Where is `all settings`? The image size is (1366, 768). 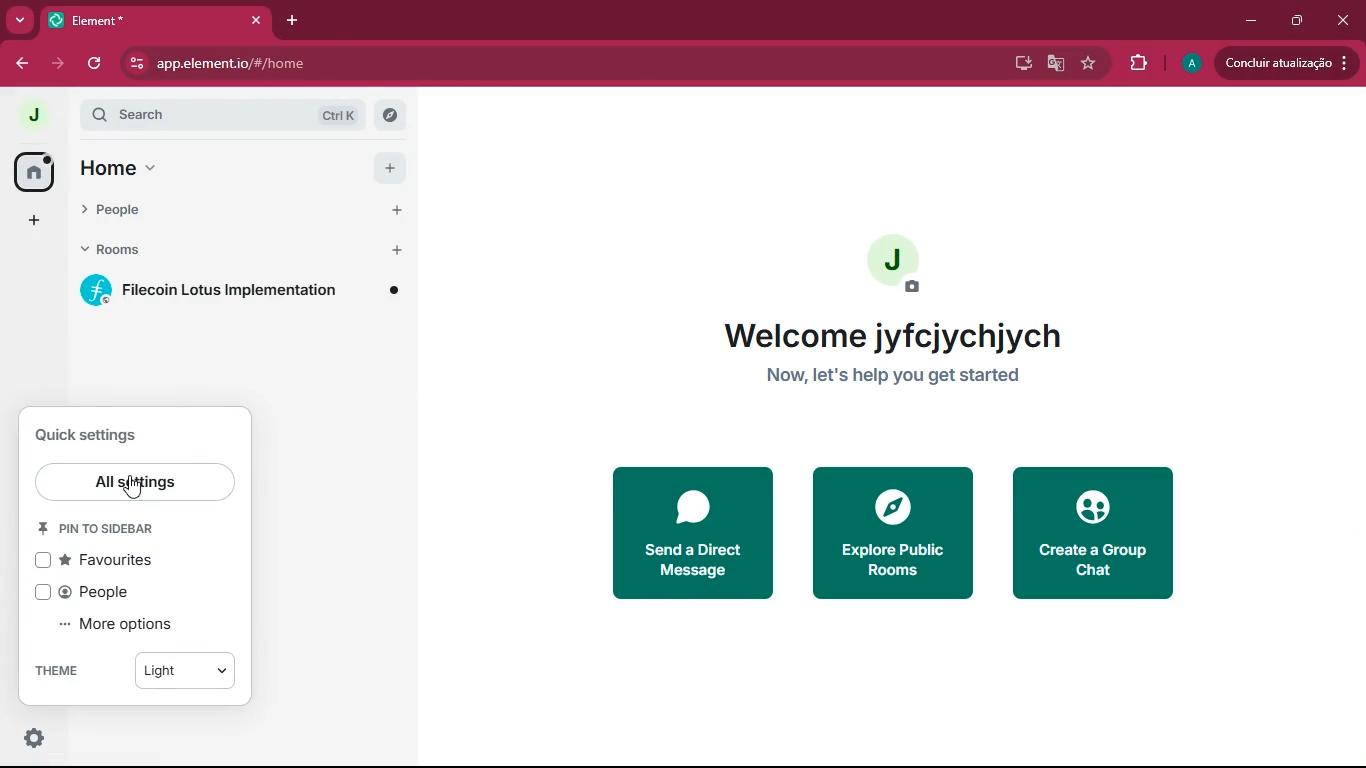 all settings is located at coordinates (135, 483).